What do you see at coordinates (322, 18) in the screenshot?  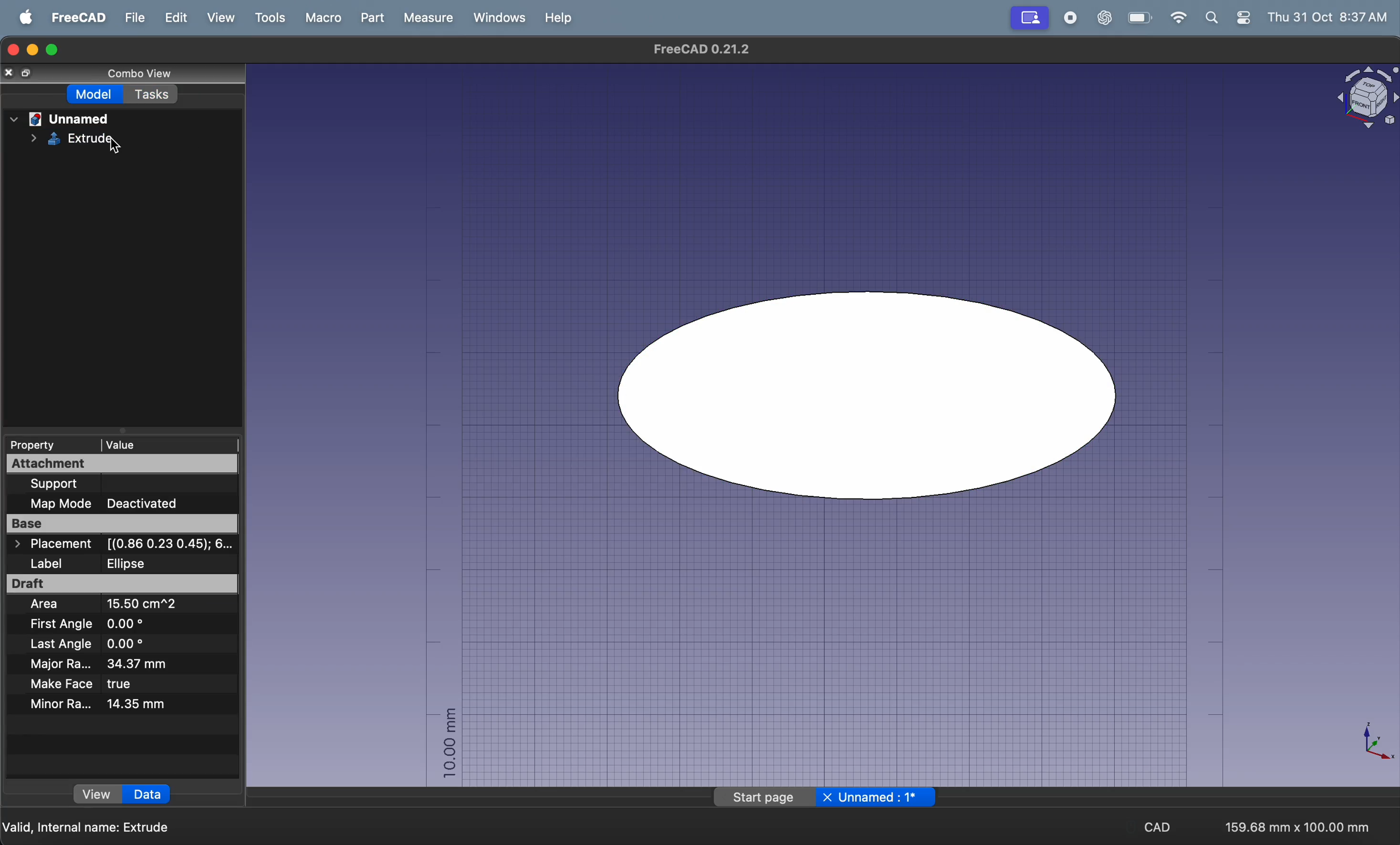 I see `marco` at bounding box center [322, 18].